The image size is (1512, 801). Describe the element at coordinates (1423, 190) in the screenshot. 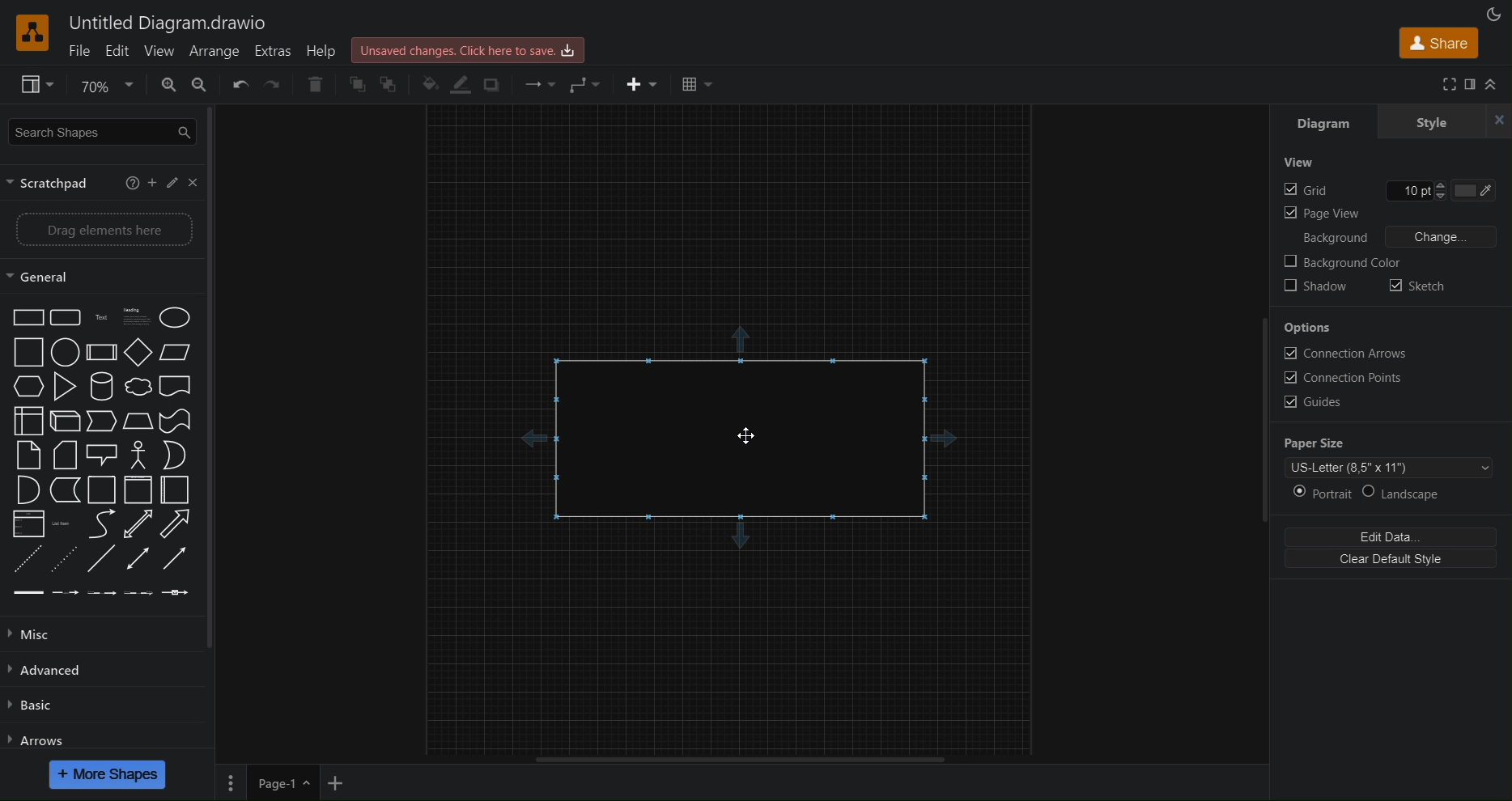

I see `Grid size` at that location.